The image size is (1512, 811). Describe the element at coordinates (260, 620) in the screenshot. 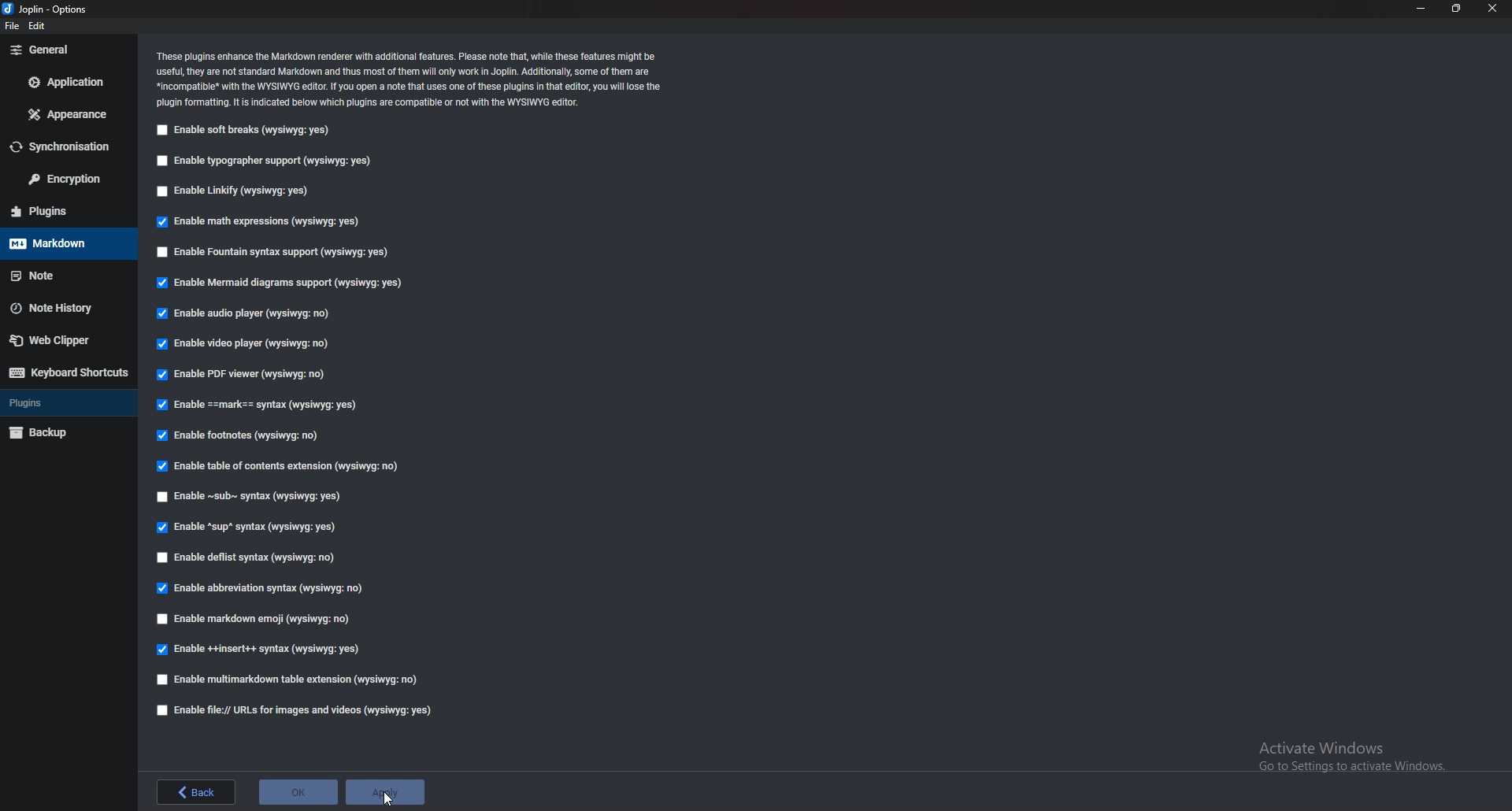

I see `enable Markdown Emoji` at that location.